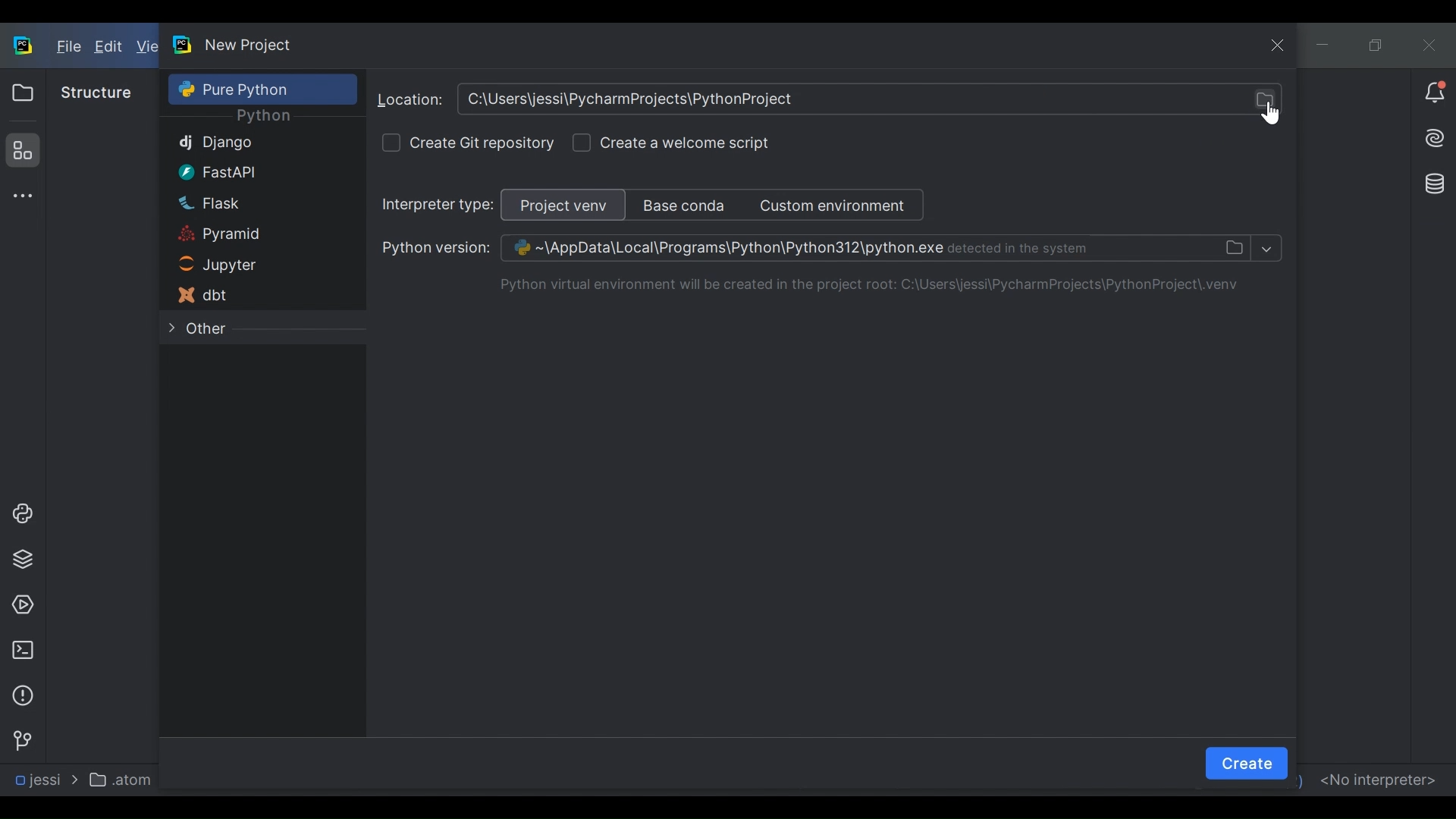 Image resolution: width=1456 pixels, height=819 pixels. I want to click on Project Console, so click(20, 514).